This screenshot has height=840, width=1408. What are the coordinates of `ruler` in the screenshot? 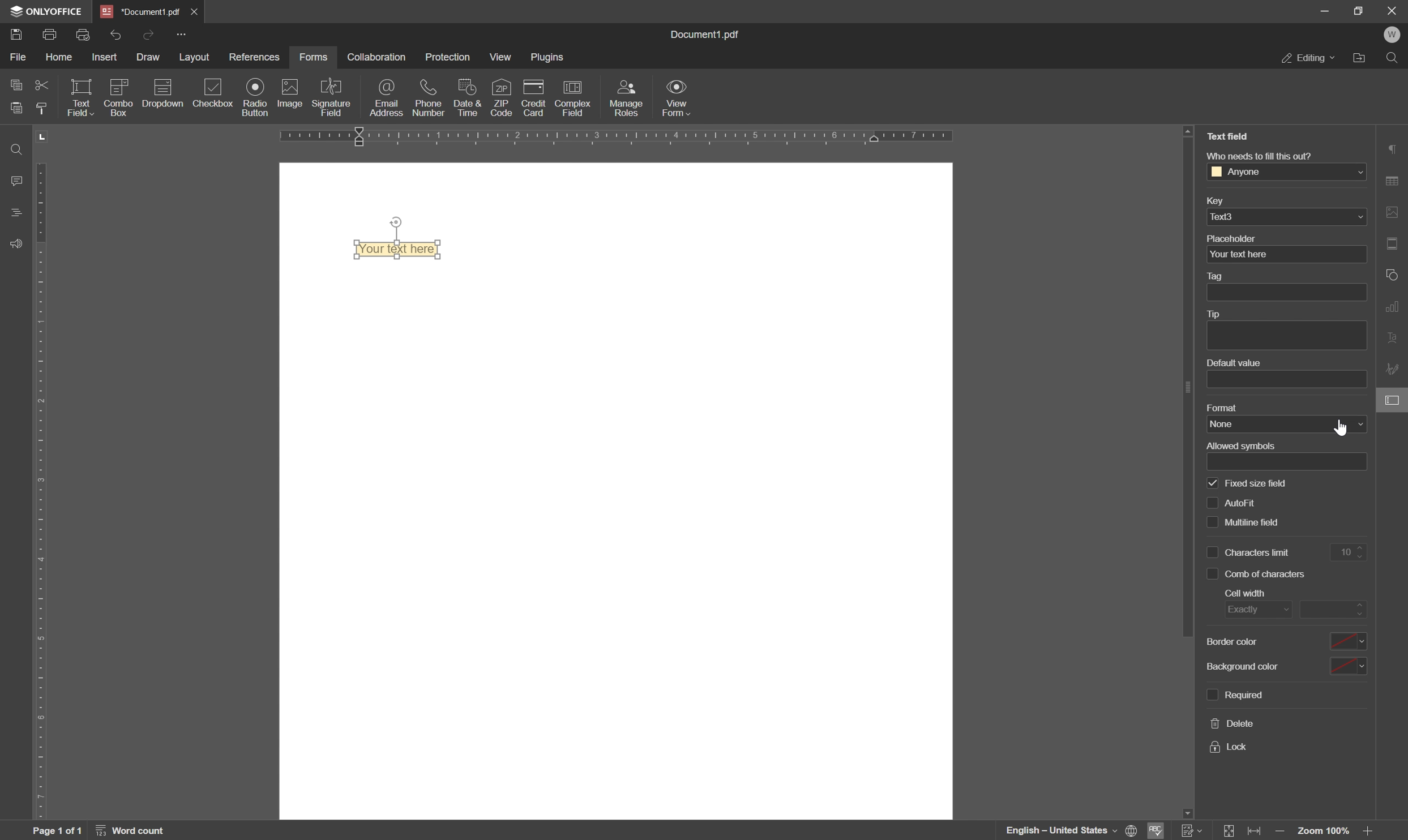 It's located at (659, 138).